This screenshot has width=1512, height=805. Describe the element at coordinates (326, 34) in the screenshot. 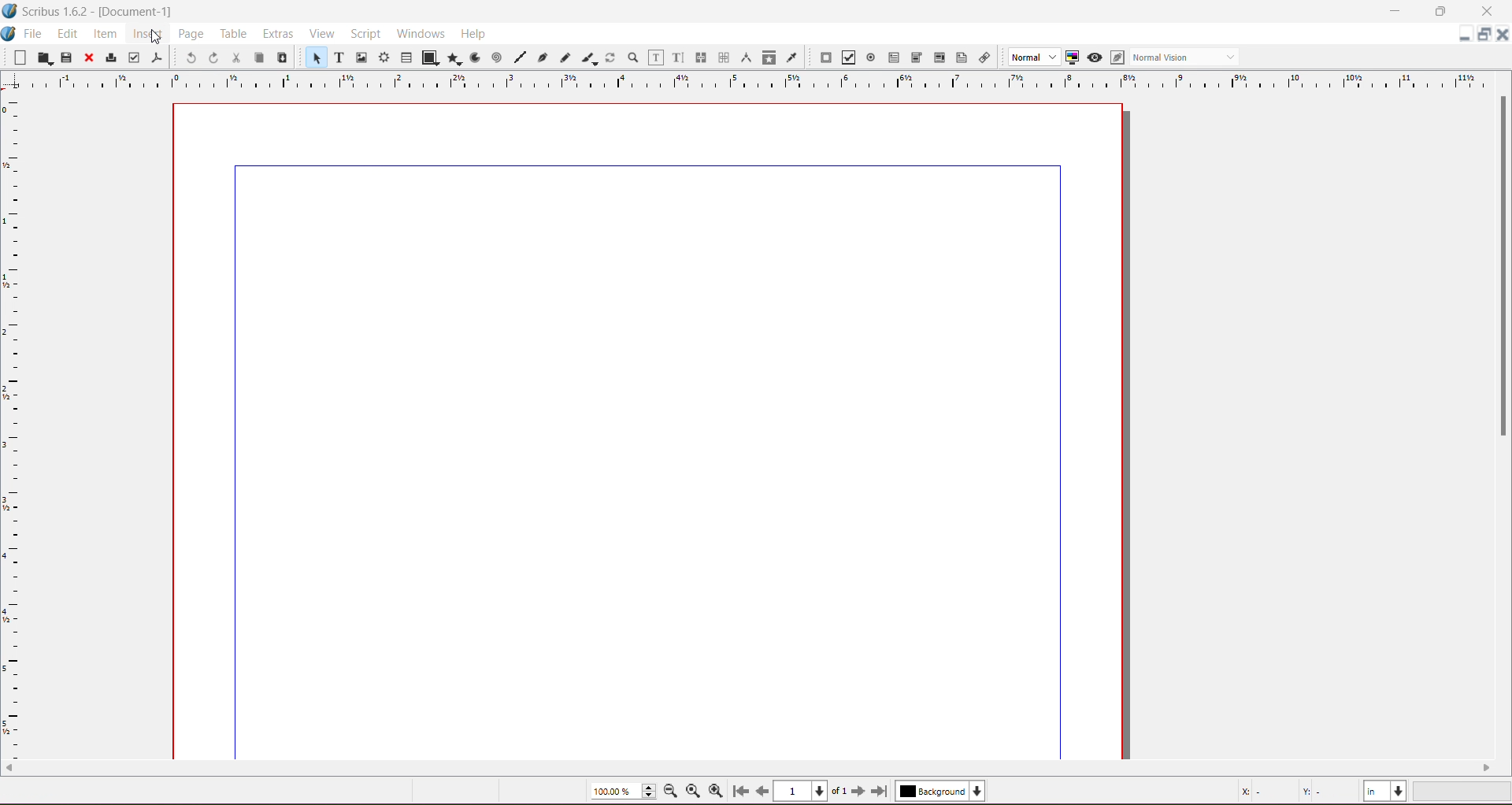

I see `View` at that location.